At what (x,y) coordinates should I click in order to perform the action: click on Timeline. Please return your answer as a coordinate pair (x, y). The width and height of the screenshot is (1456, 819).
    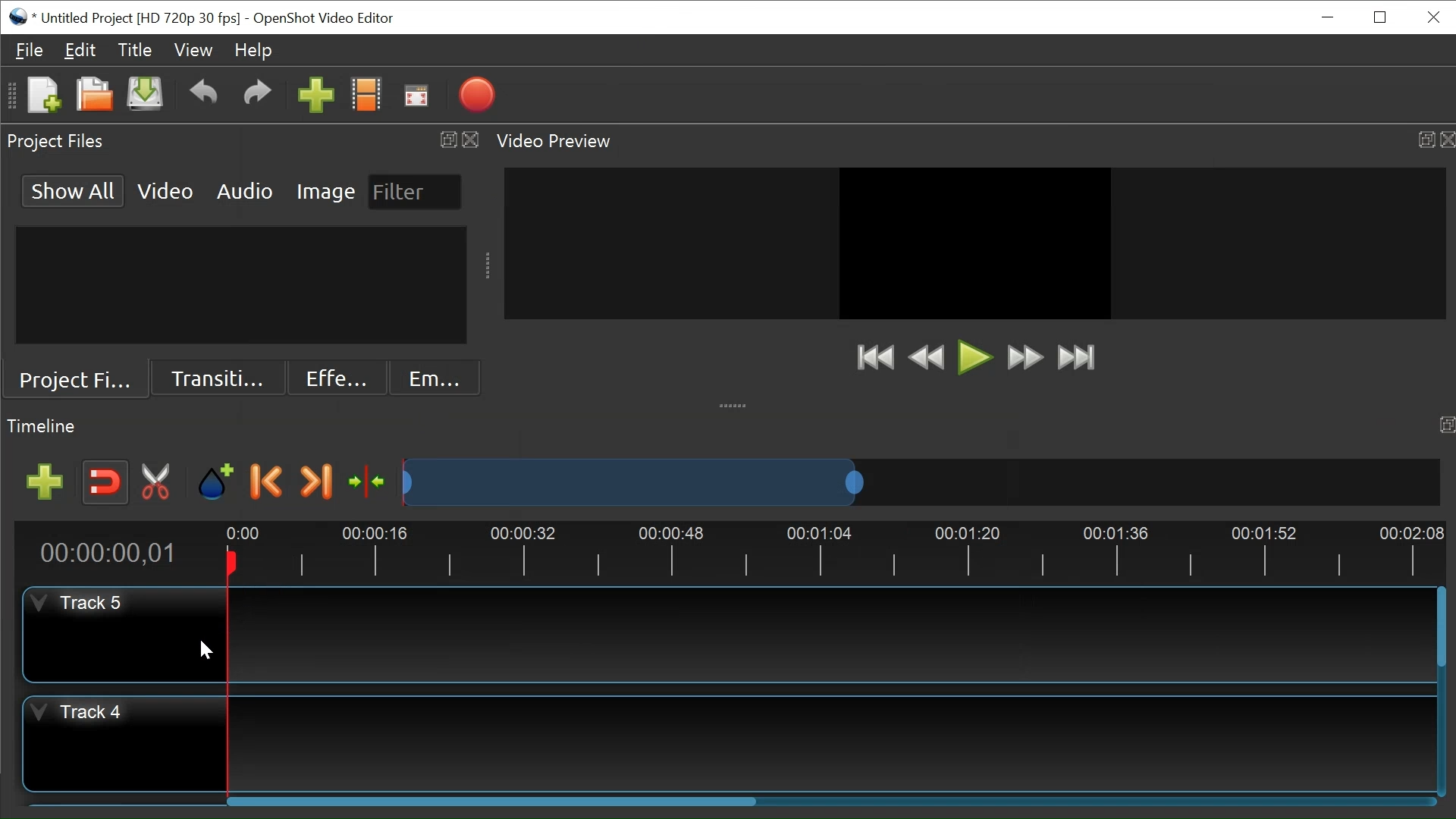
    Looking at the image, I should click on (726, 551).